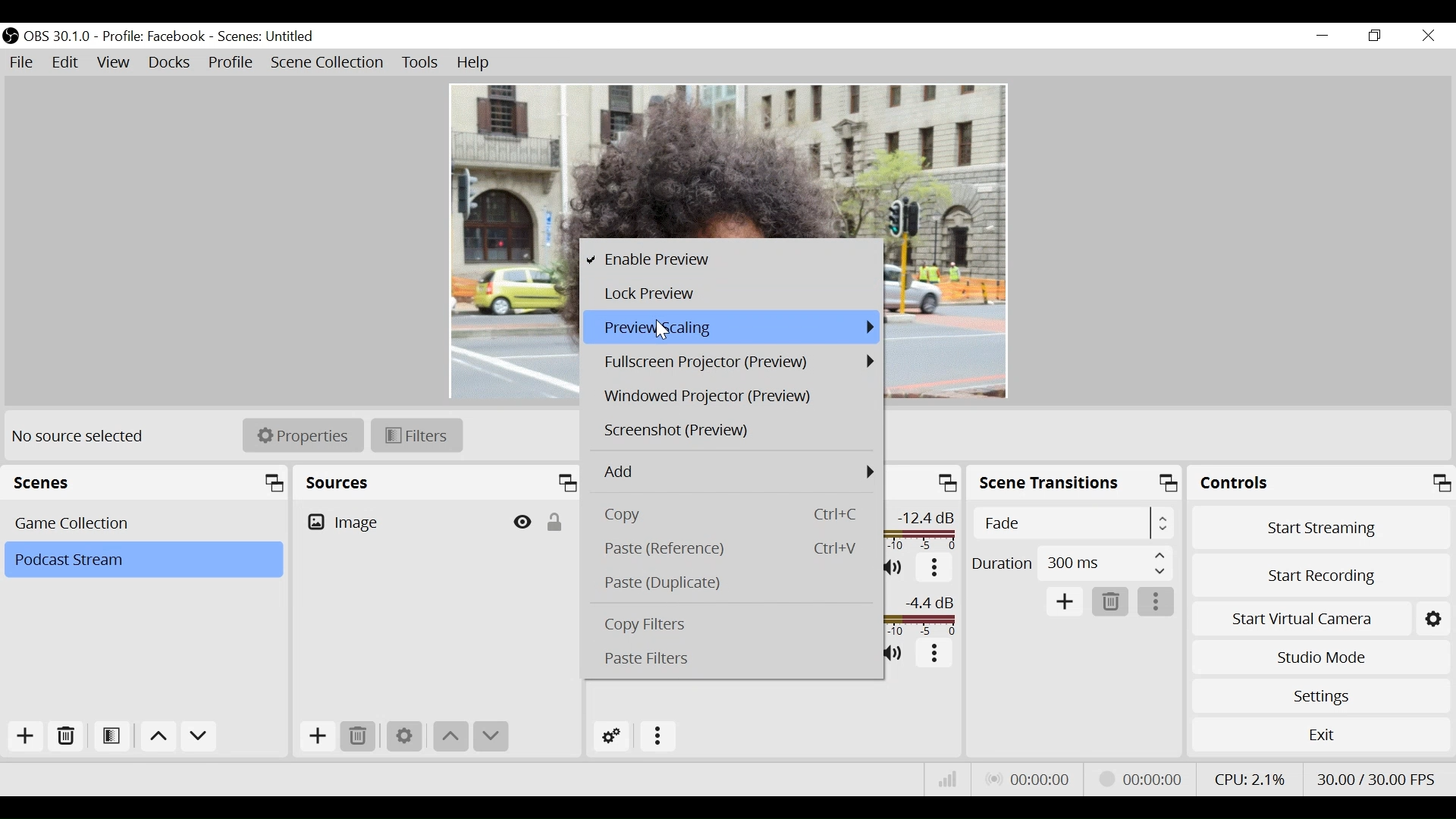 The height and width of the screenshot is (819, 1456). What do you see at coordinates (1320, 526) in the screenshot?
I see `Start Streaming` at bounding box center [1320, 526].